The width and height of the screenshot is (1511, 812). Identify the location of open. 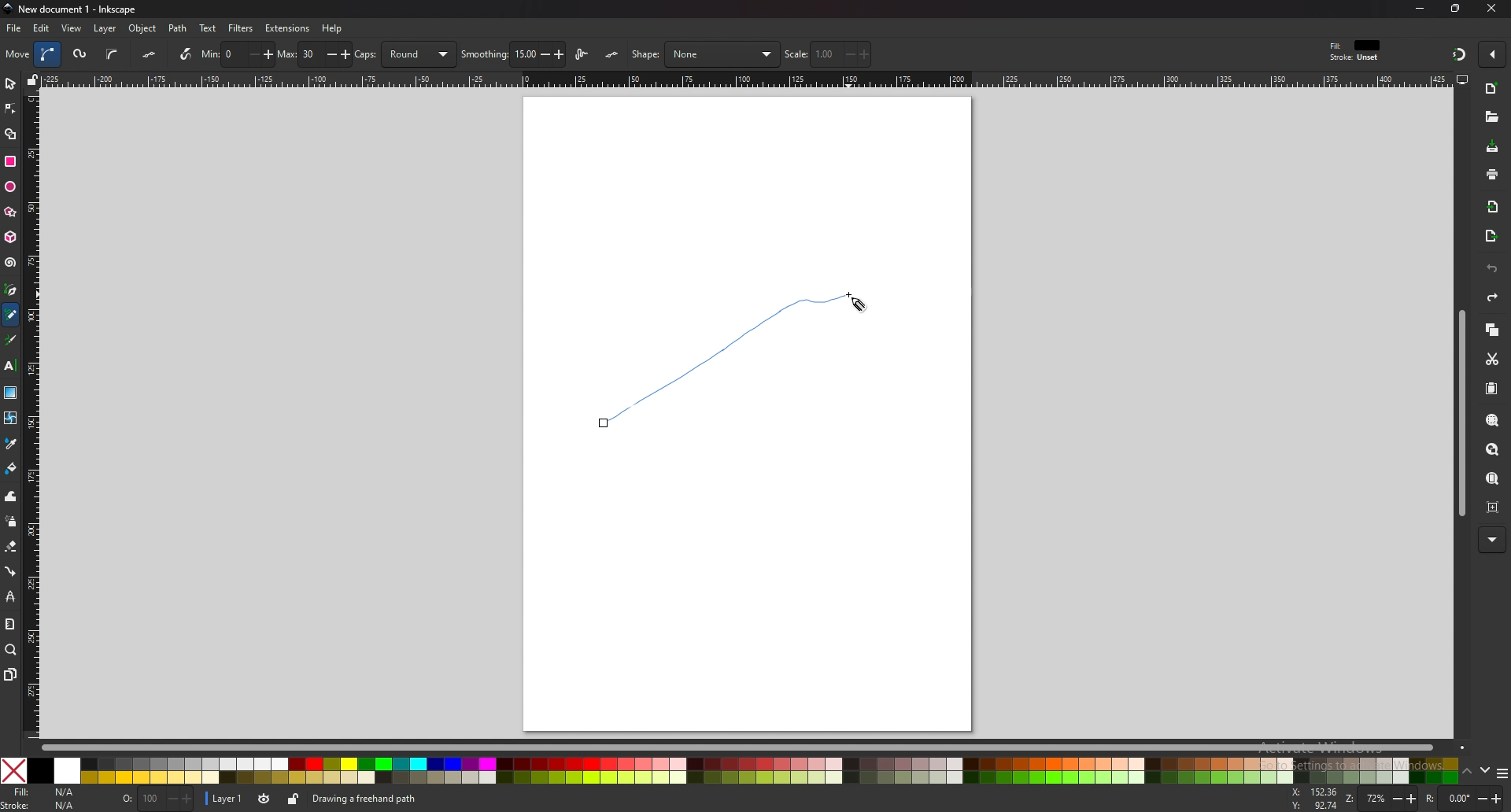
(1493, 116).